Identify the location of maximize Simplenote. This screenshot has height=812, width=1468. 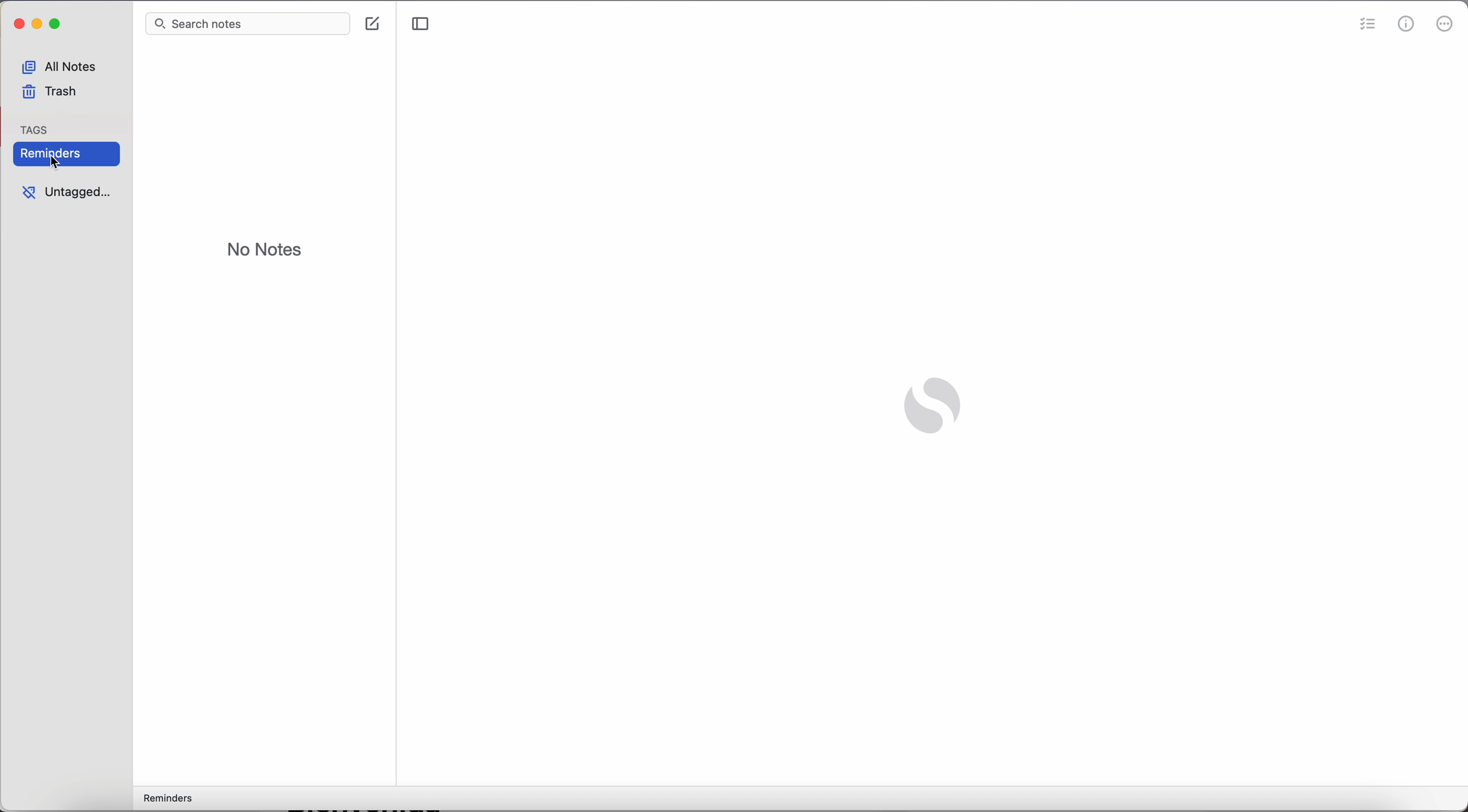
(58, 26).